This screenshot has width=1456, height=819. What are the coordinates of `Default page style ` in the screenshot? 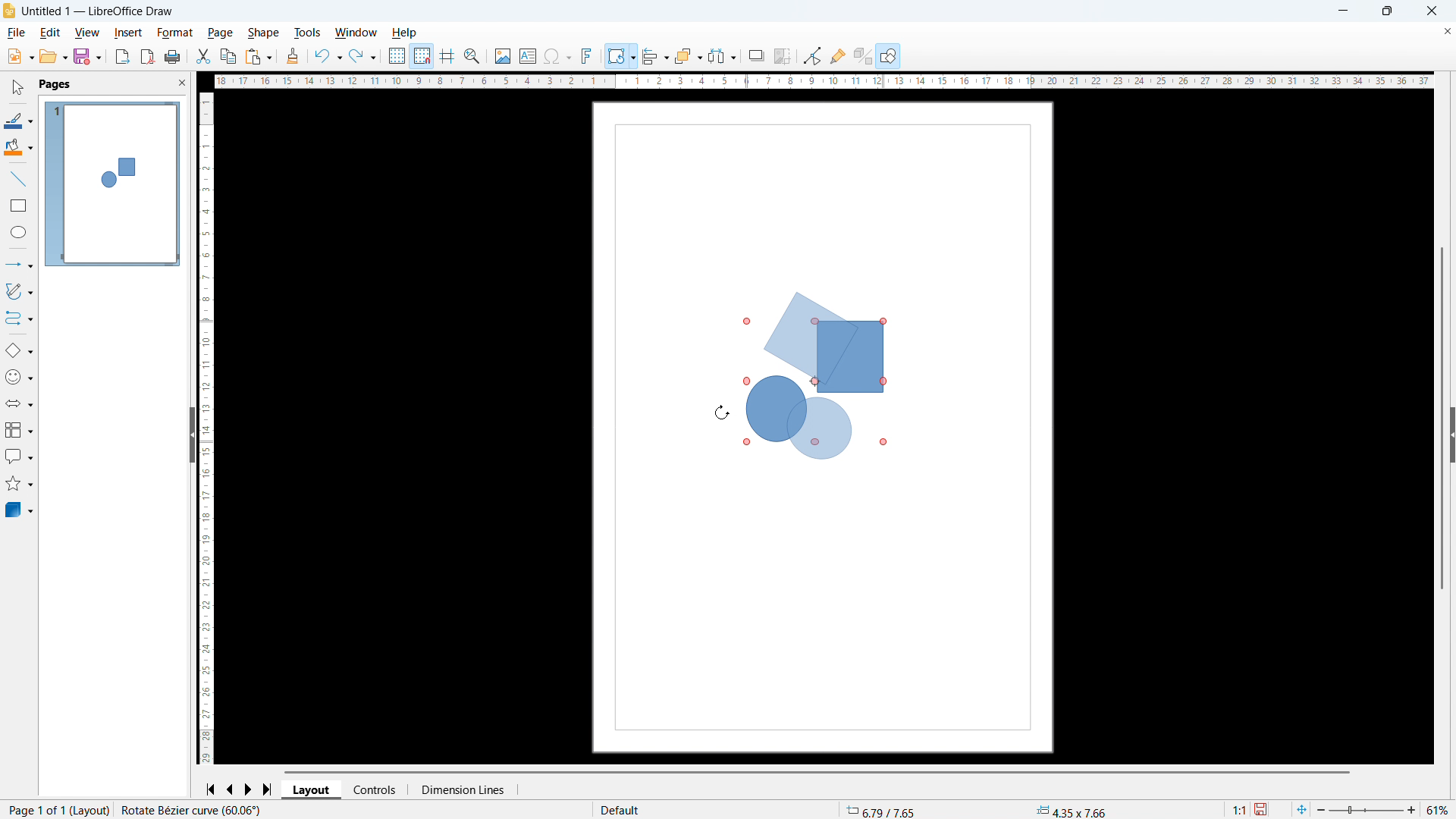 It's located at (623, 811).